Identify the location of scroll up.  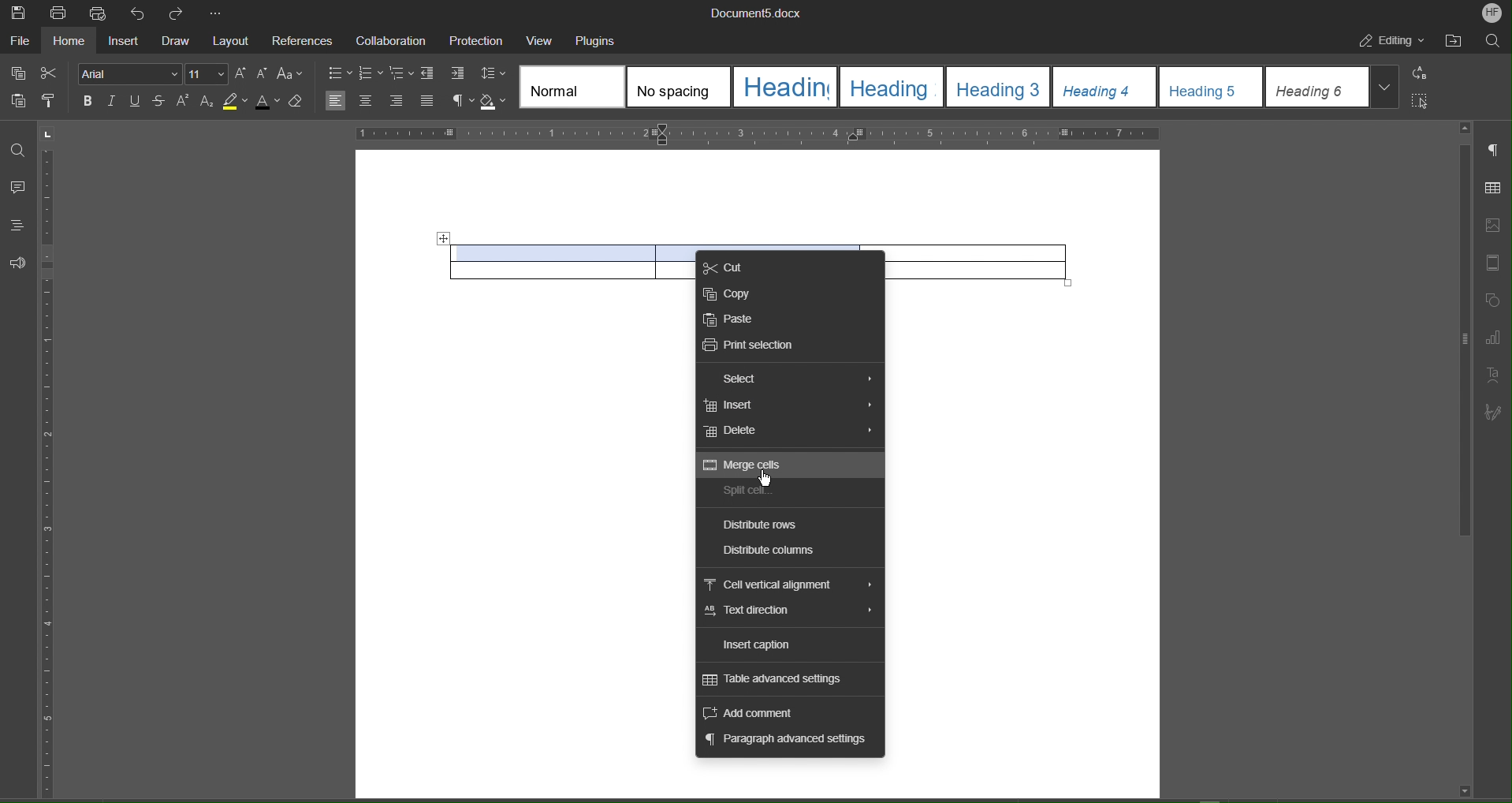
(1465, 128).